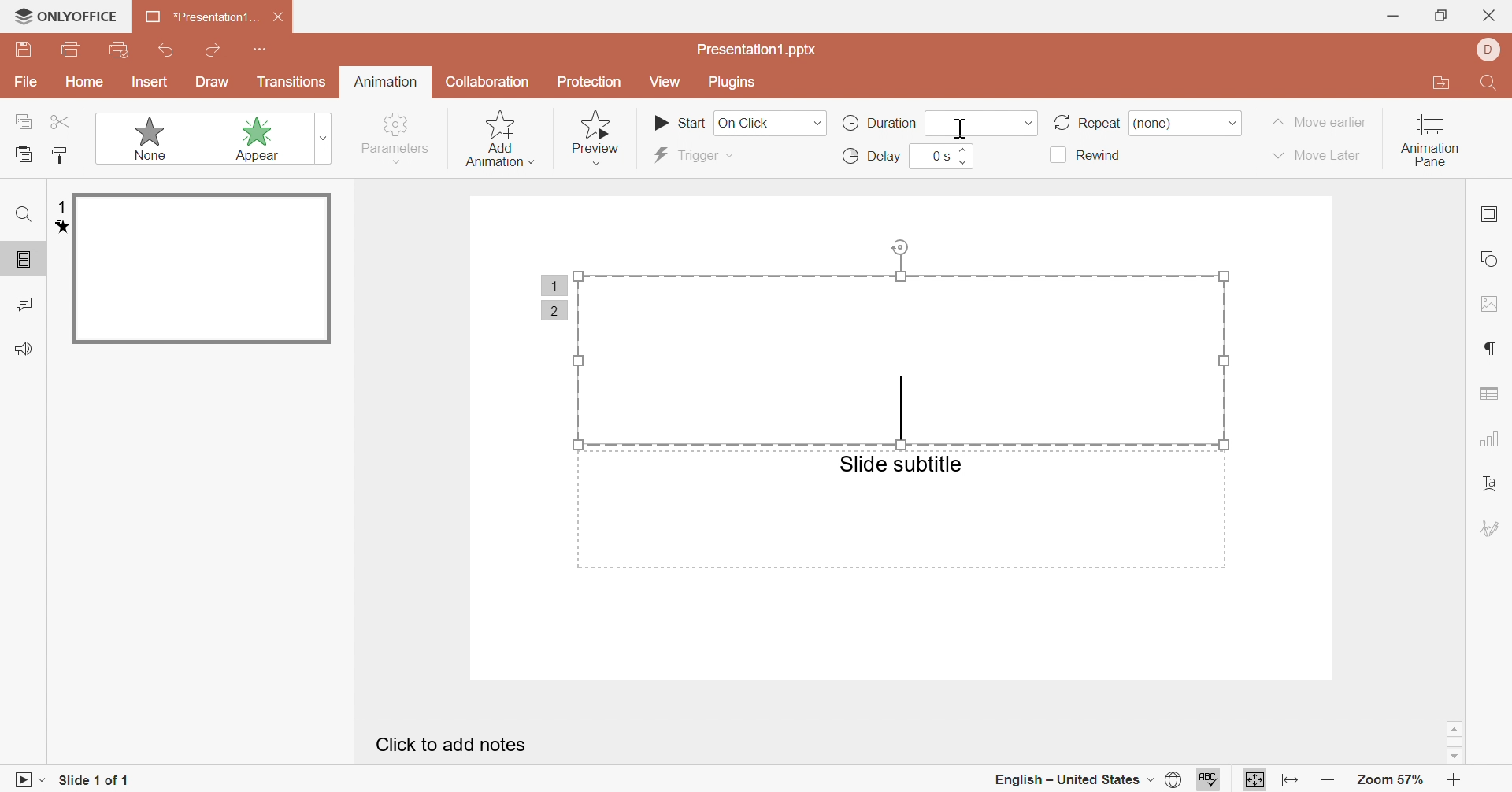 The width and height of the screenshot is (1512, 792). What do you see at coordinates (1029, 124) in the screenshot?
I see `drop down` at bounding box center [1029, 124].